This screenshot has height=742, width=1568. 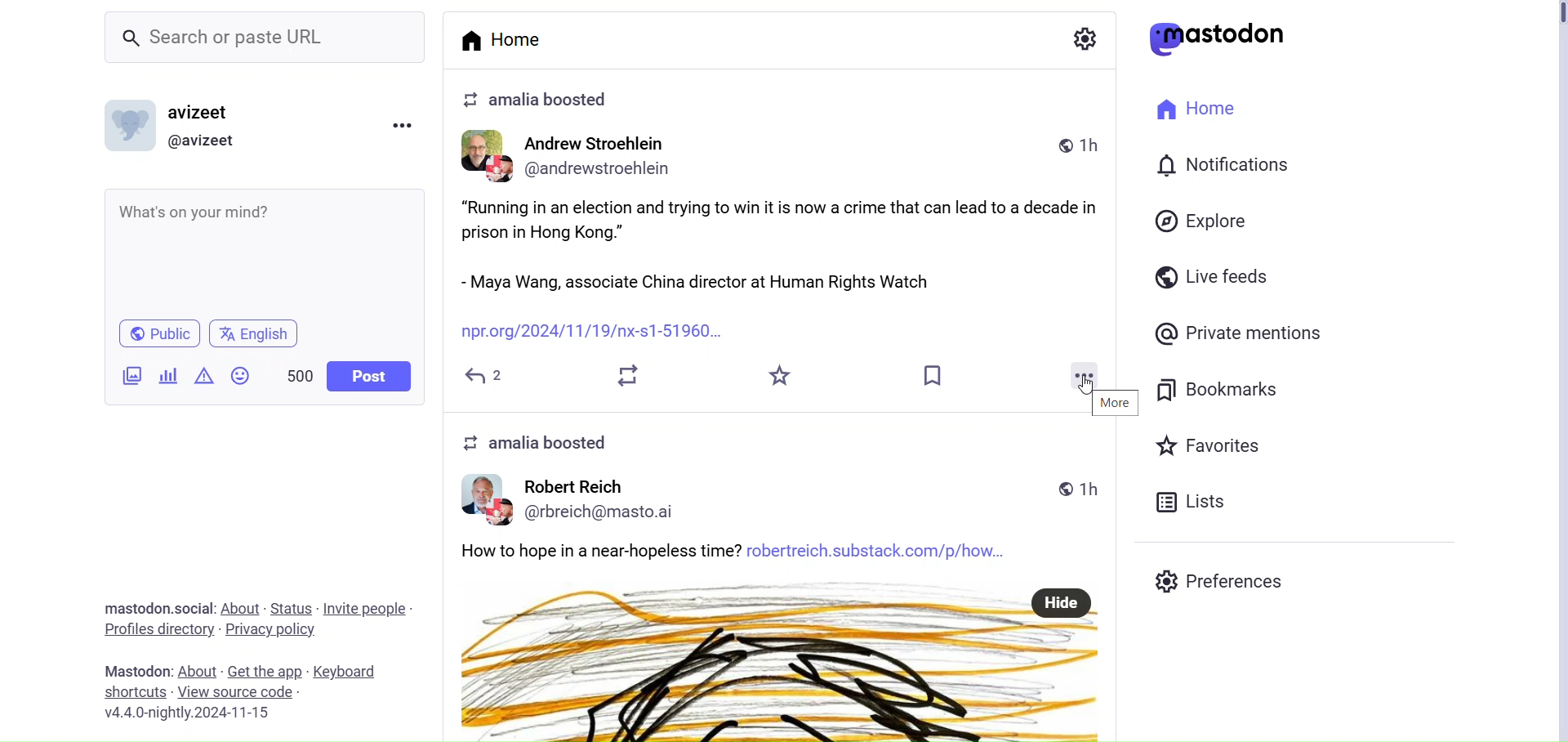 I want to click on Profile Picture, so click(x=133, y=124).